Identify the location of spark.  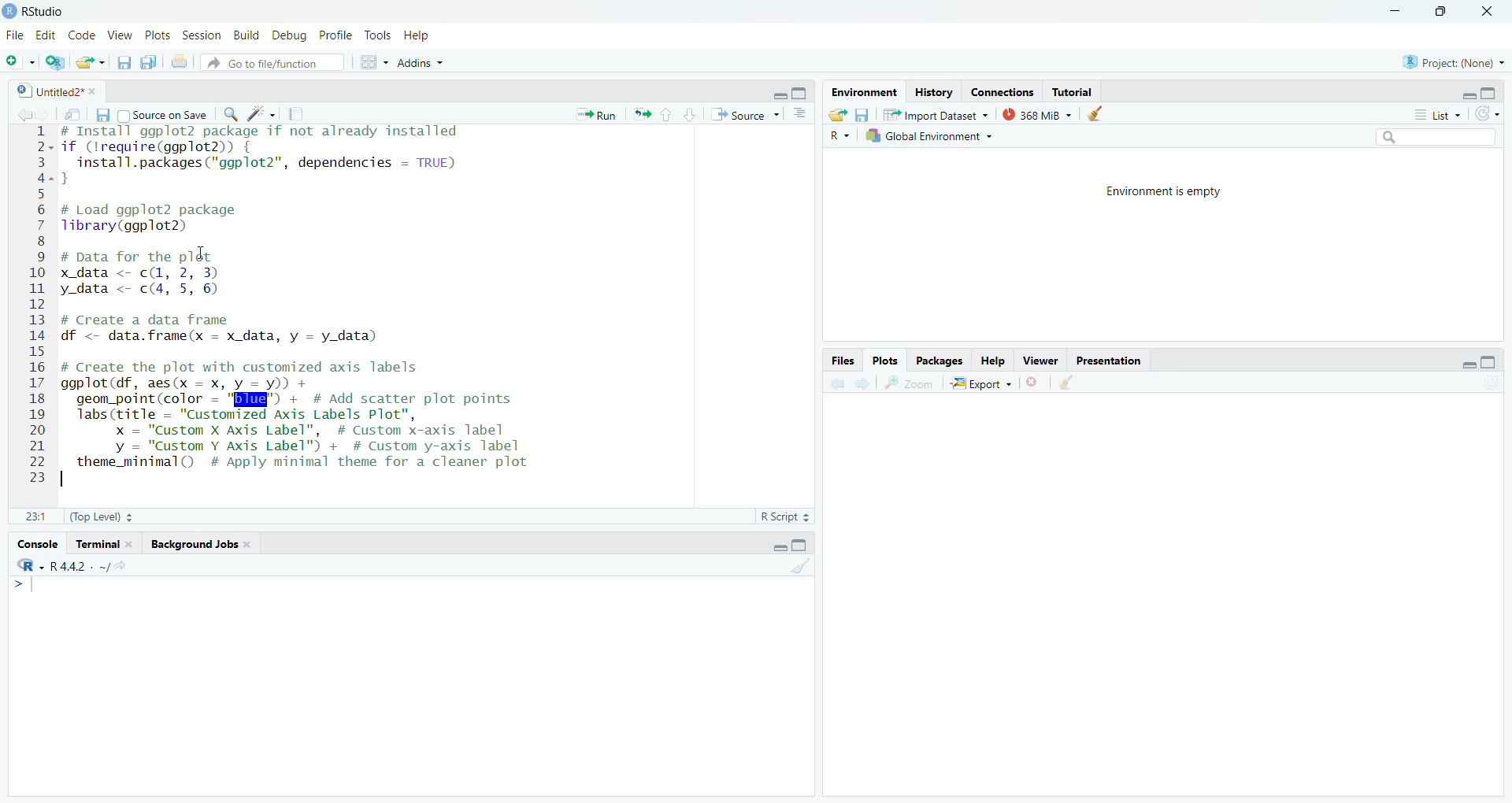
(264, 115).